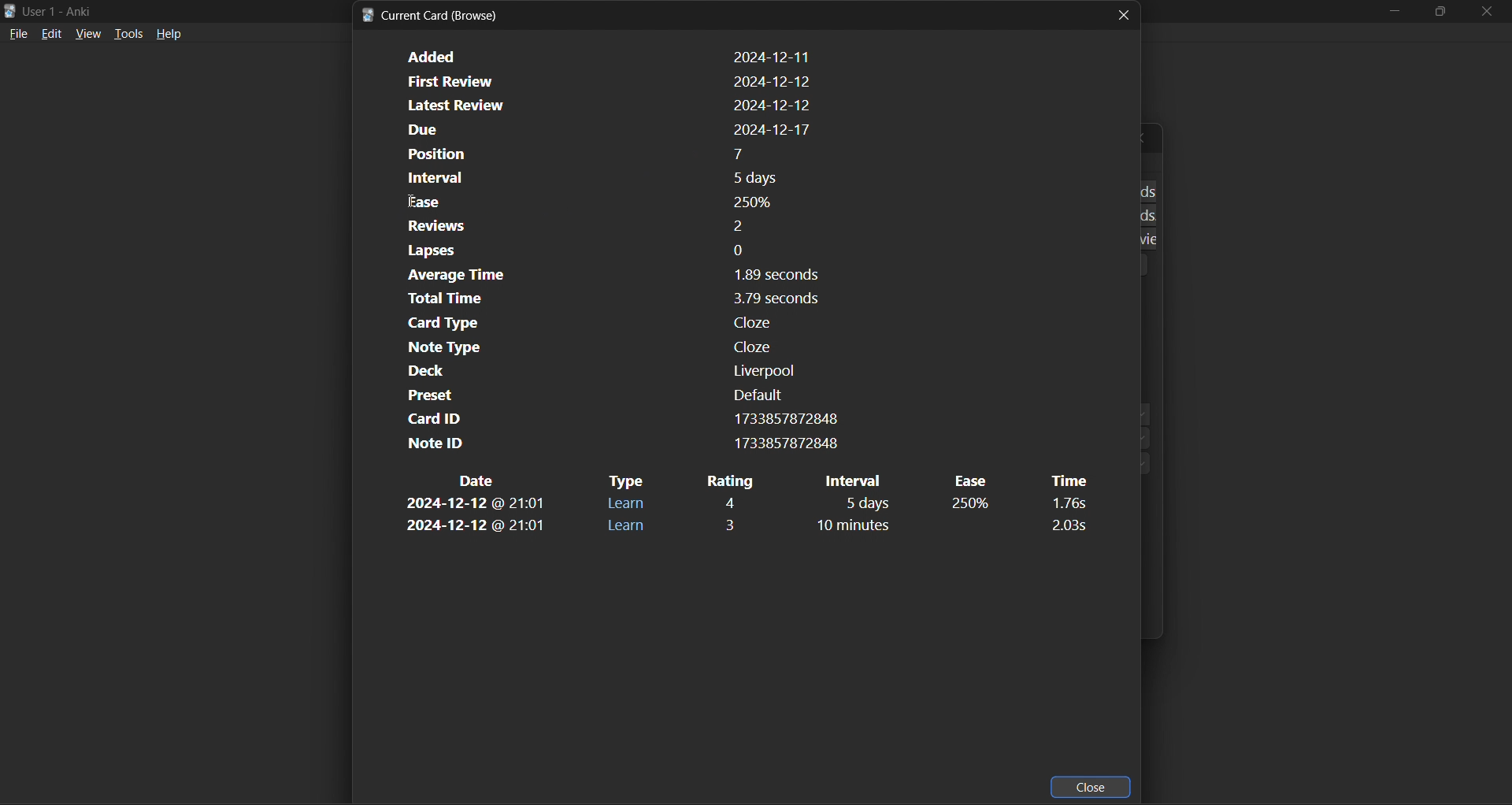 The width and height of the screenshot is (1512, 805). Describe the element at coordinates (609, 154) in the screenshot. I see `card position` at that location.